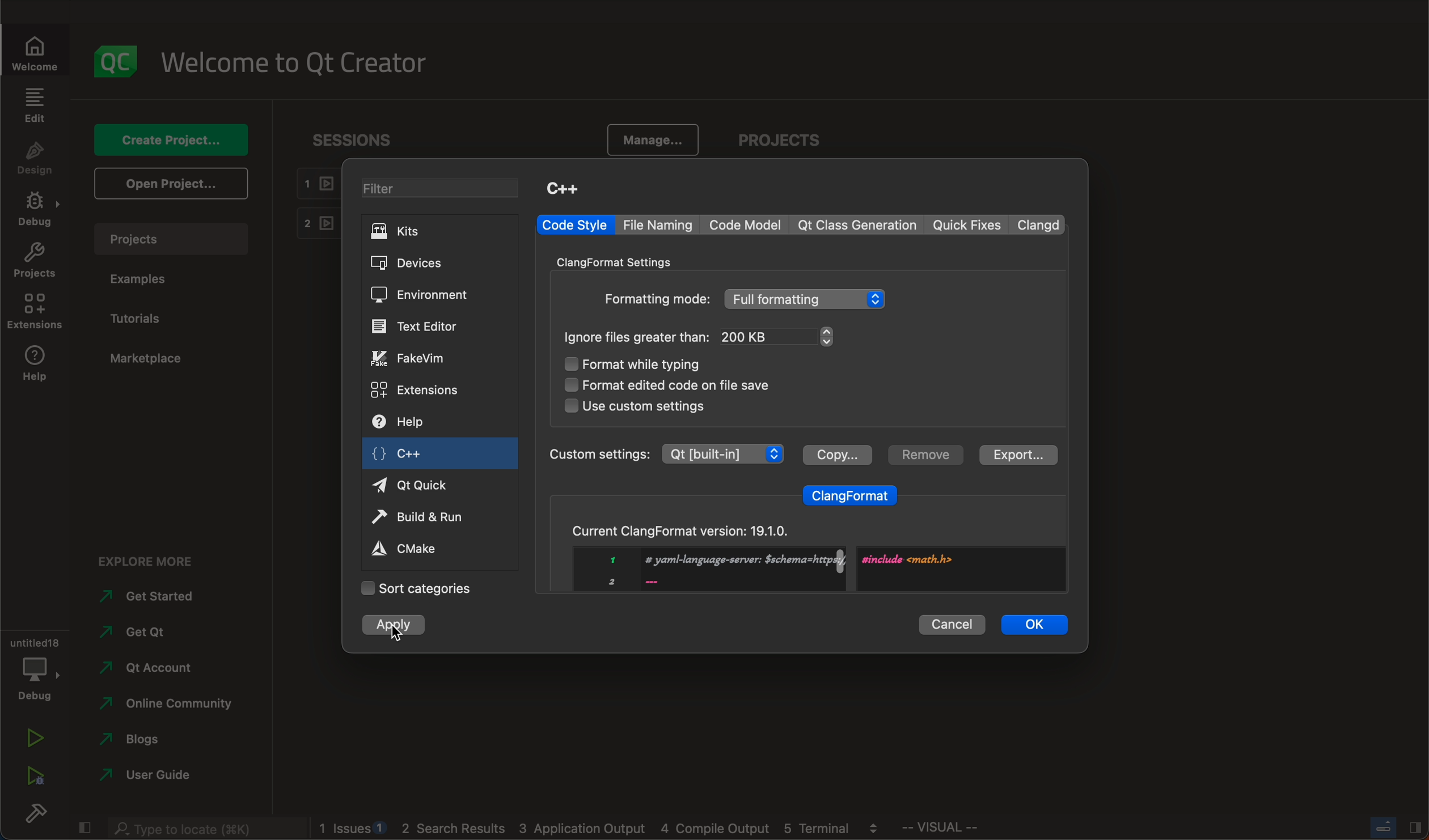 The height and width of the screenshot is (840, 1429). What do you see at coordinates (923, 455) in the screenshot?
I see `remove` at bounding box center [923, 455].